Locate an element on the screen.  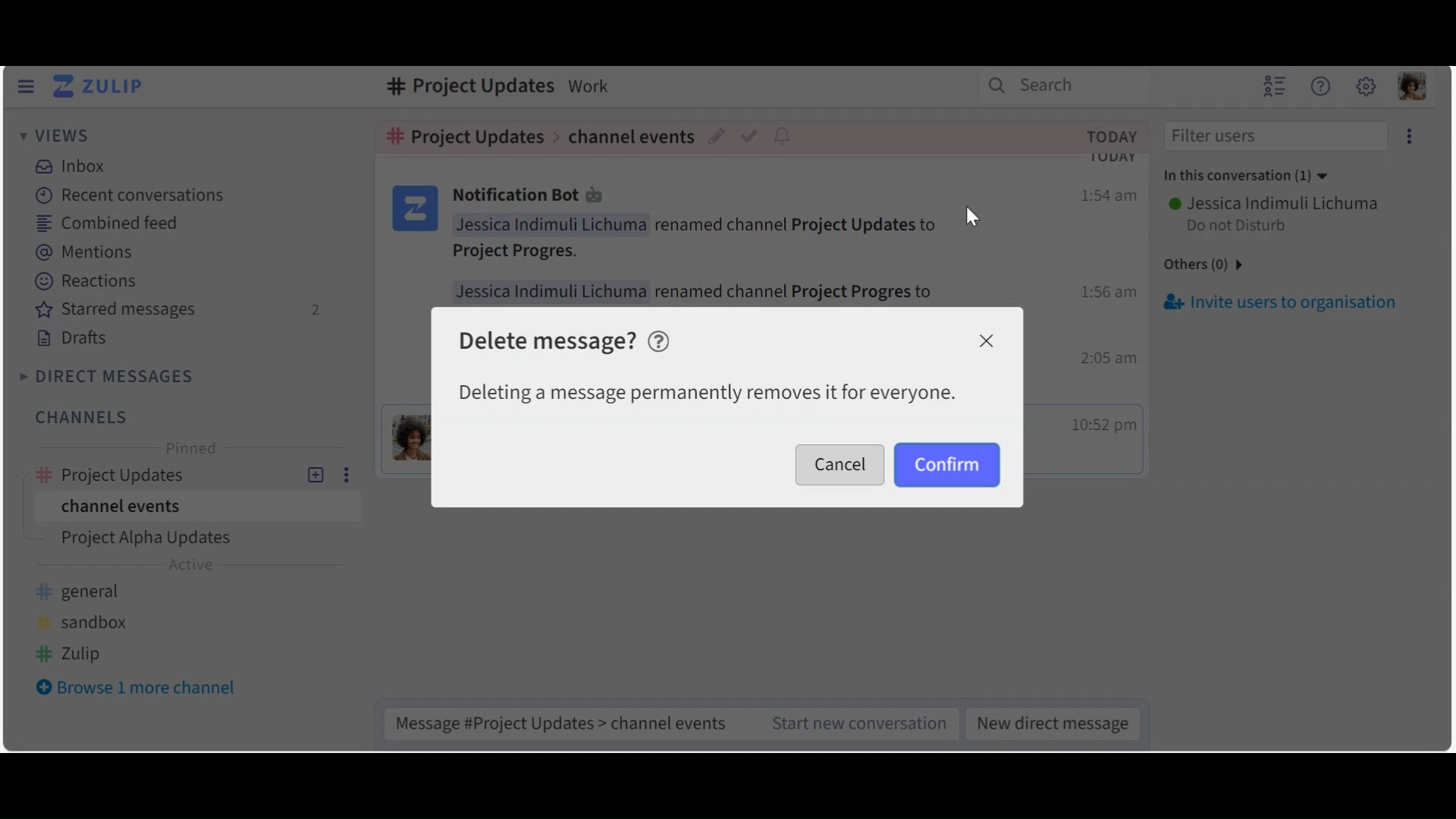
Views is located at coordinates (58, 138).